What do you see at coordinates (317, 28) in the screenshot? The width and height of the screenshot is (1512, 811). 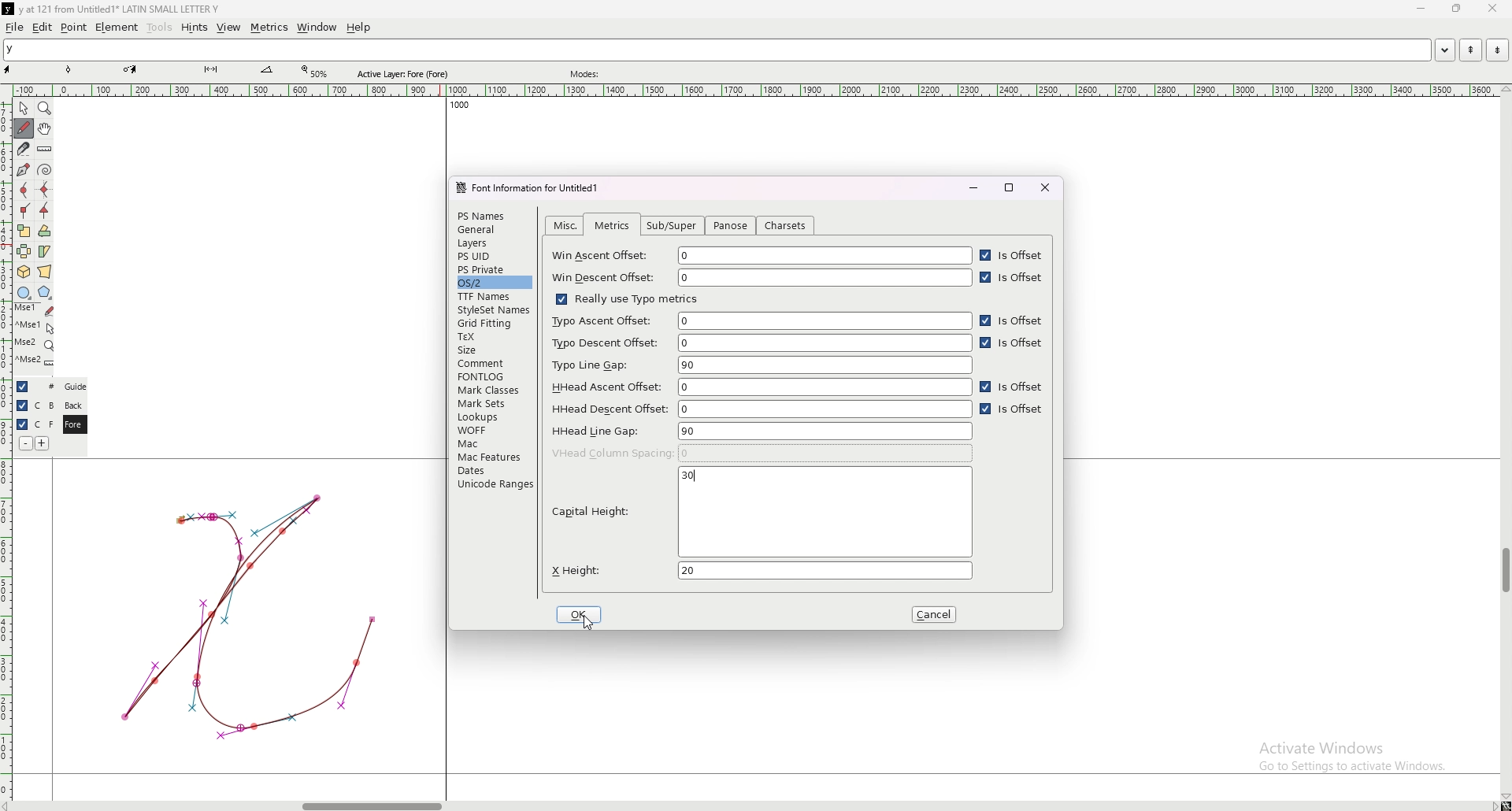 I see `window` at bounding box center [317, 28].